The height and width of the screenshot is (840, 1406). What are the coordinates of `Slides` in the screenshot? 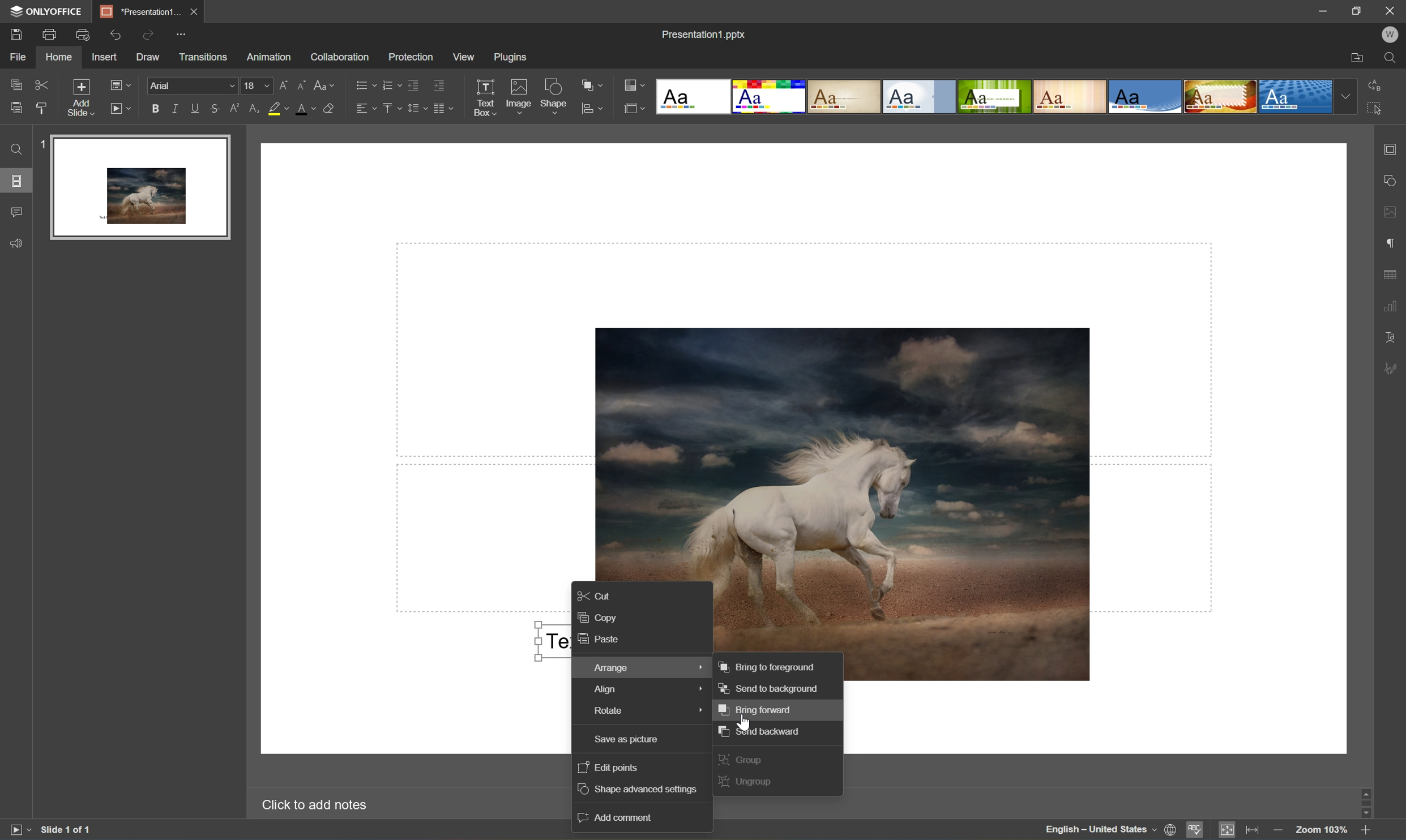 It's located at (15, 181).